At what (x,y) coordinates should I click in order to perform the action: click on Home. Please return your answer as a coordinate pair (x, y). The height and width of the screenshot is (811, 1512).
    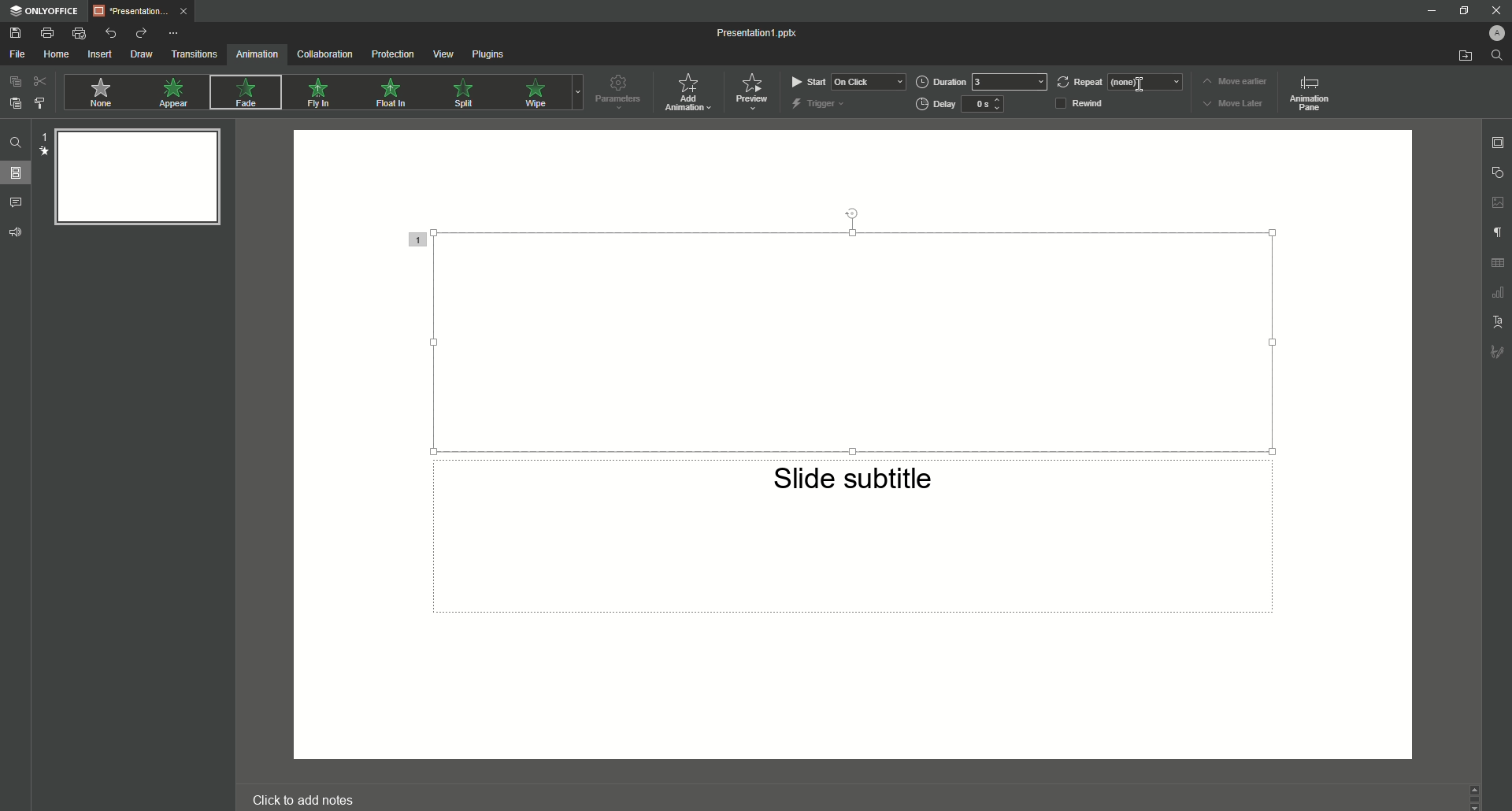
    Looking at the image, I should click on (57, 55).